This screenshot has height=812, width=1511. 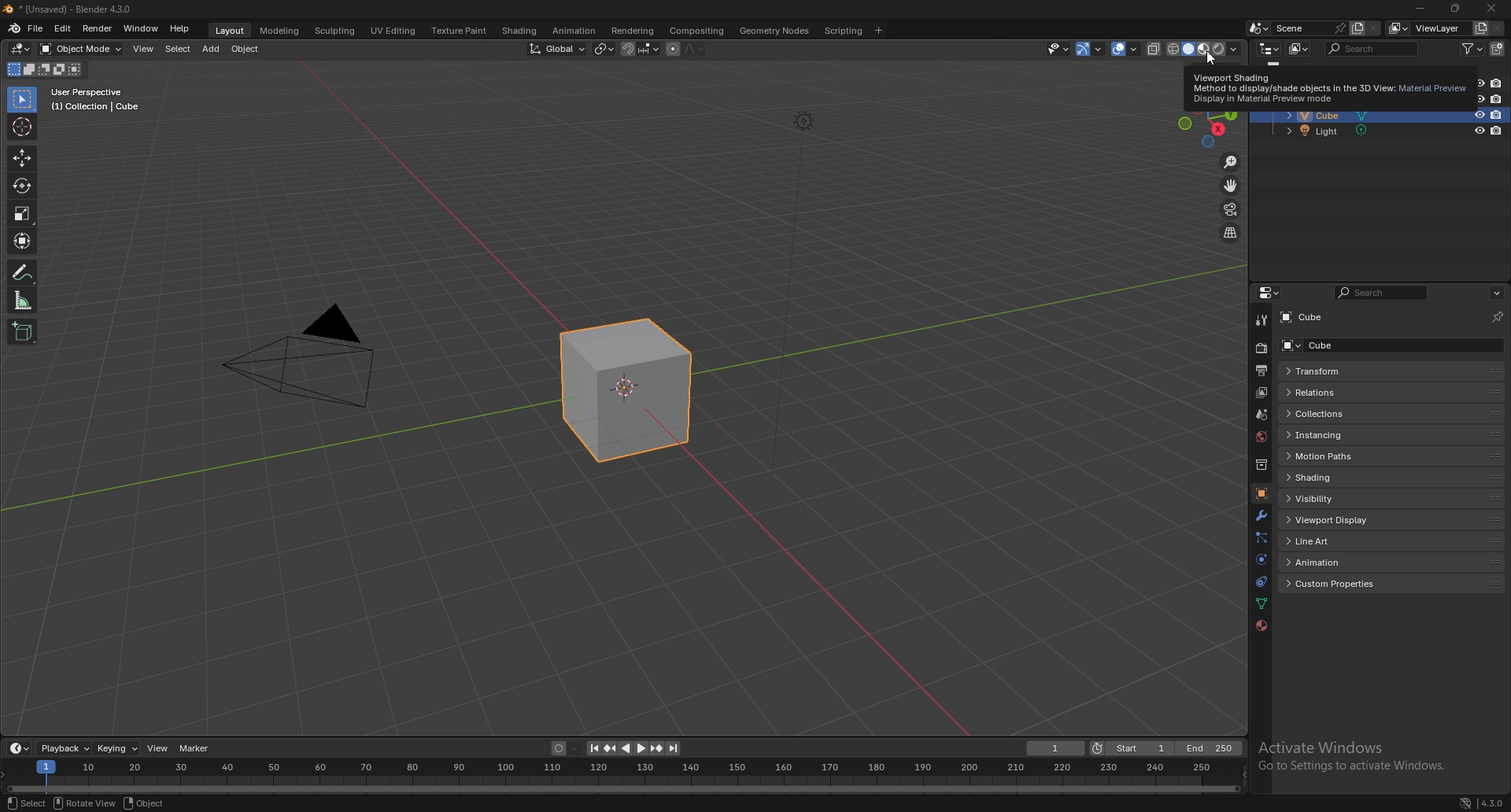 I want to click on viewport shading, so click(x=1203, y=50).